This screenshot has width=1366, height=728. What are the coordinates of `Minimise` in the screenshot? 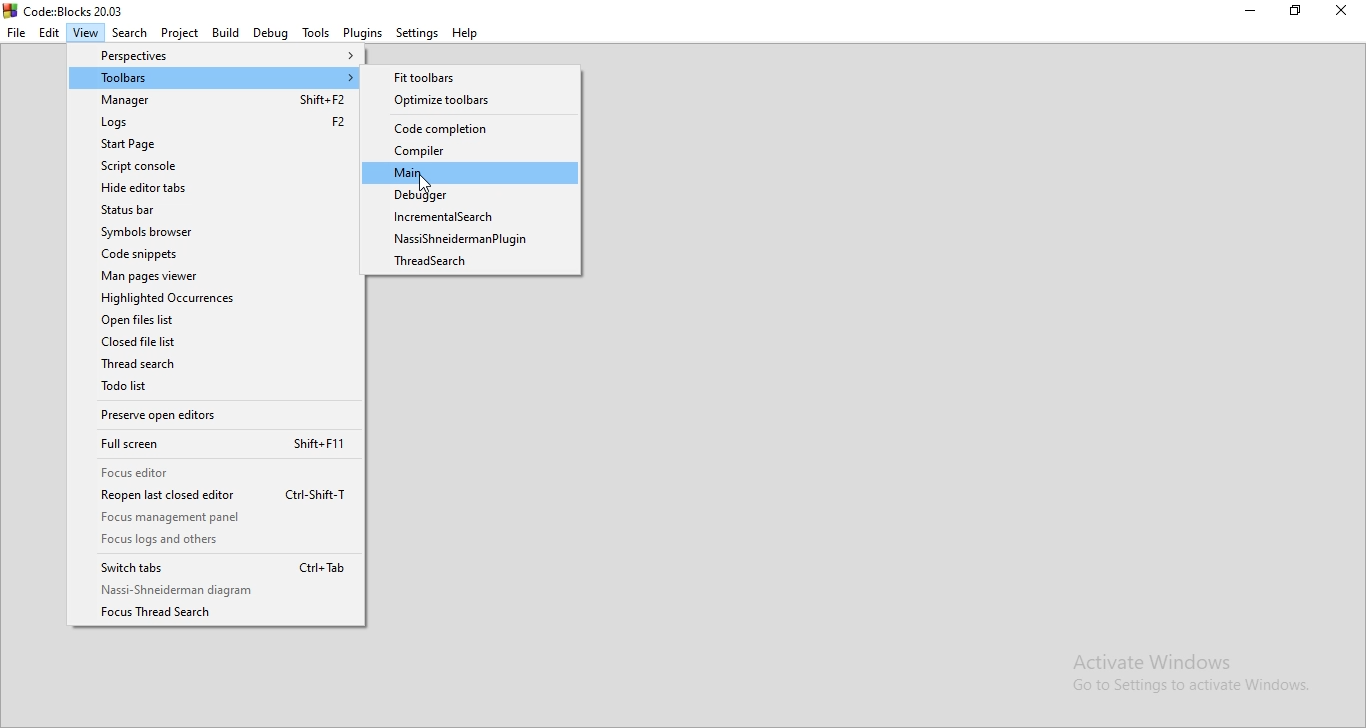 It's located at (1254, 11).